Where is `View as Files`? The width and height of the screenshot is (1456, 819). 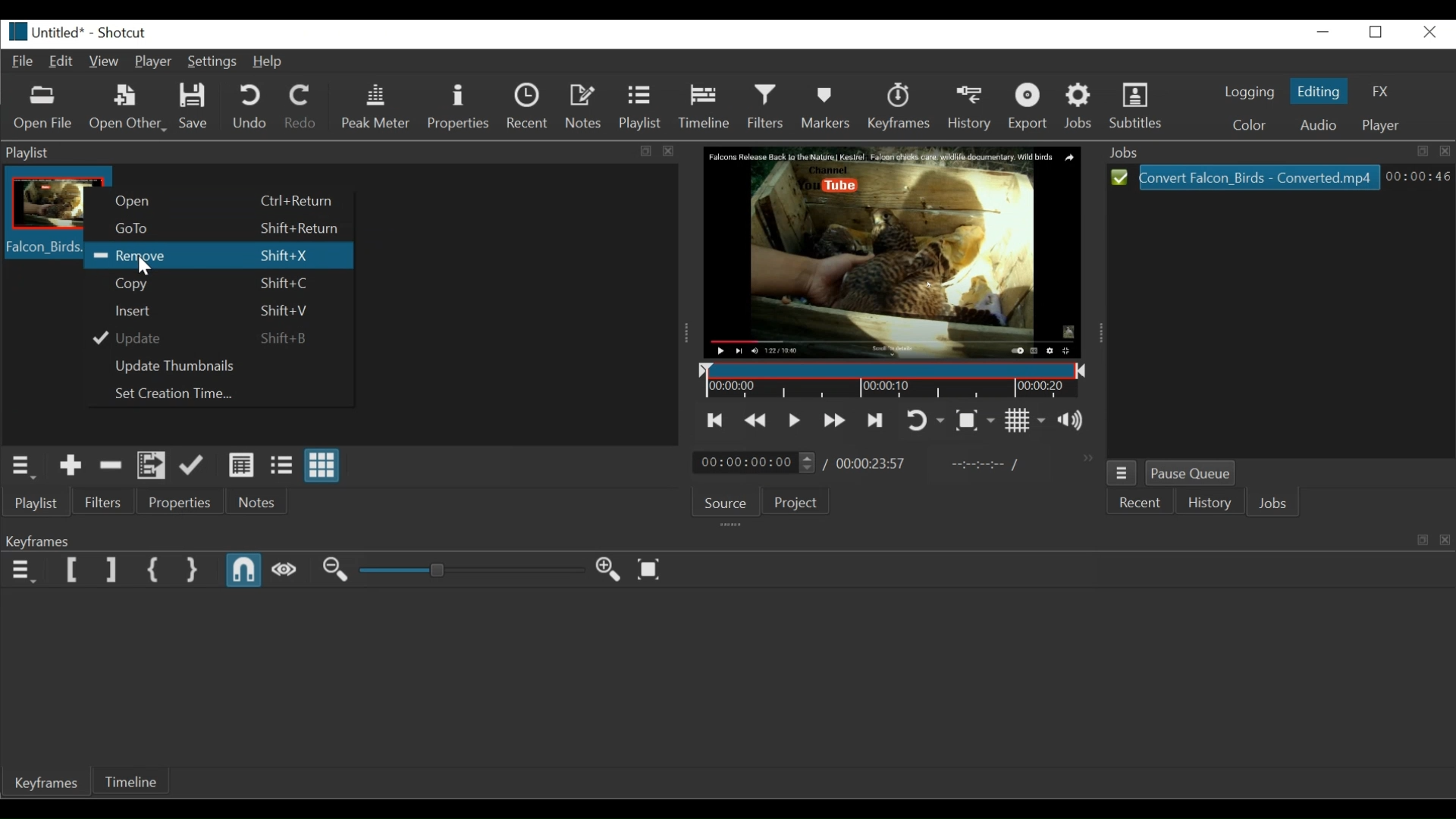 View as Files is located at coordinates (281, 466).